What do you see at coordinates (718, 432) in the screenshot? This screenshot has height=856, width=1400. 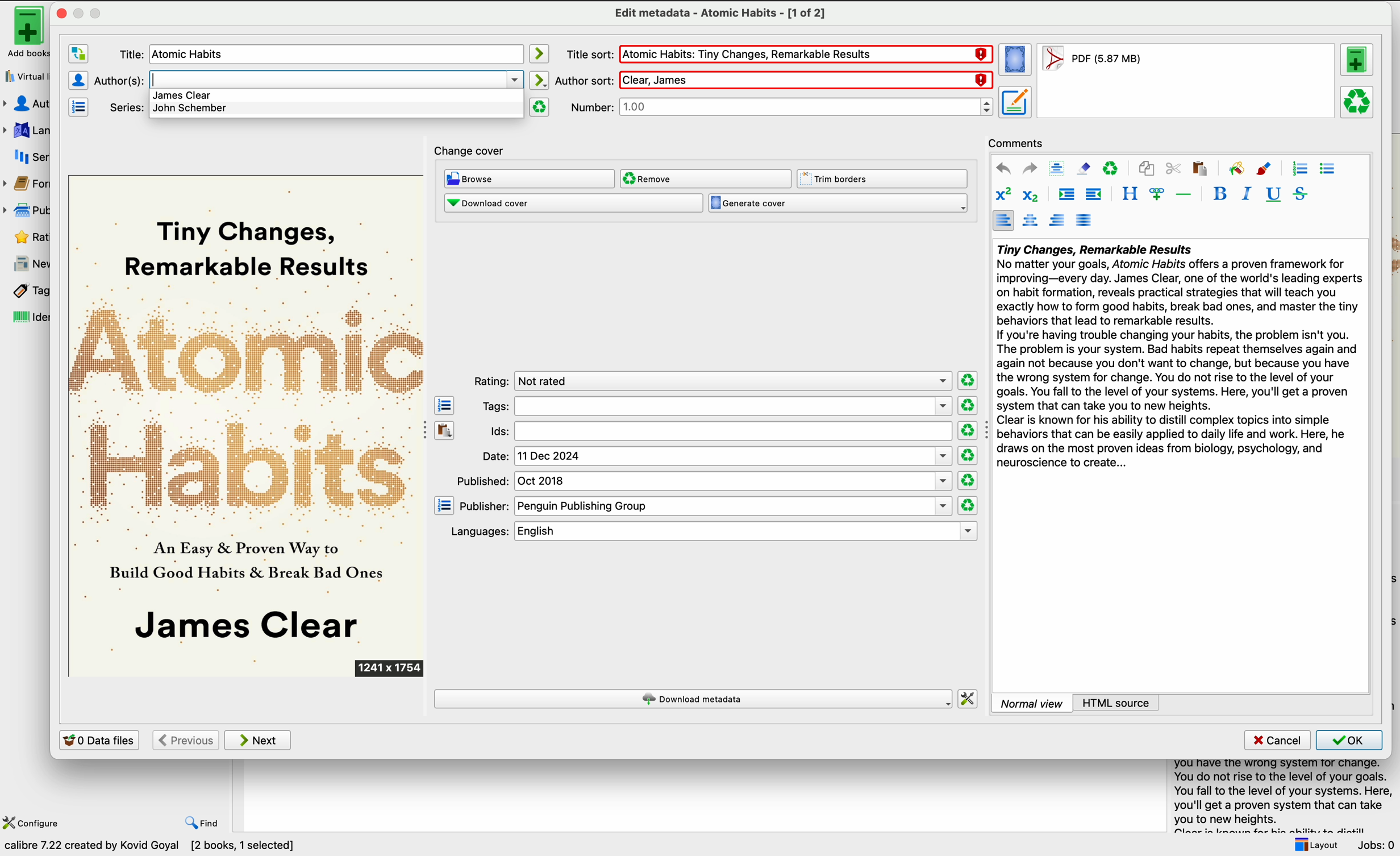 I see `Ids` at bounding box center [718, 432].